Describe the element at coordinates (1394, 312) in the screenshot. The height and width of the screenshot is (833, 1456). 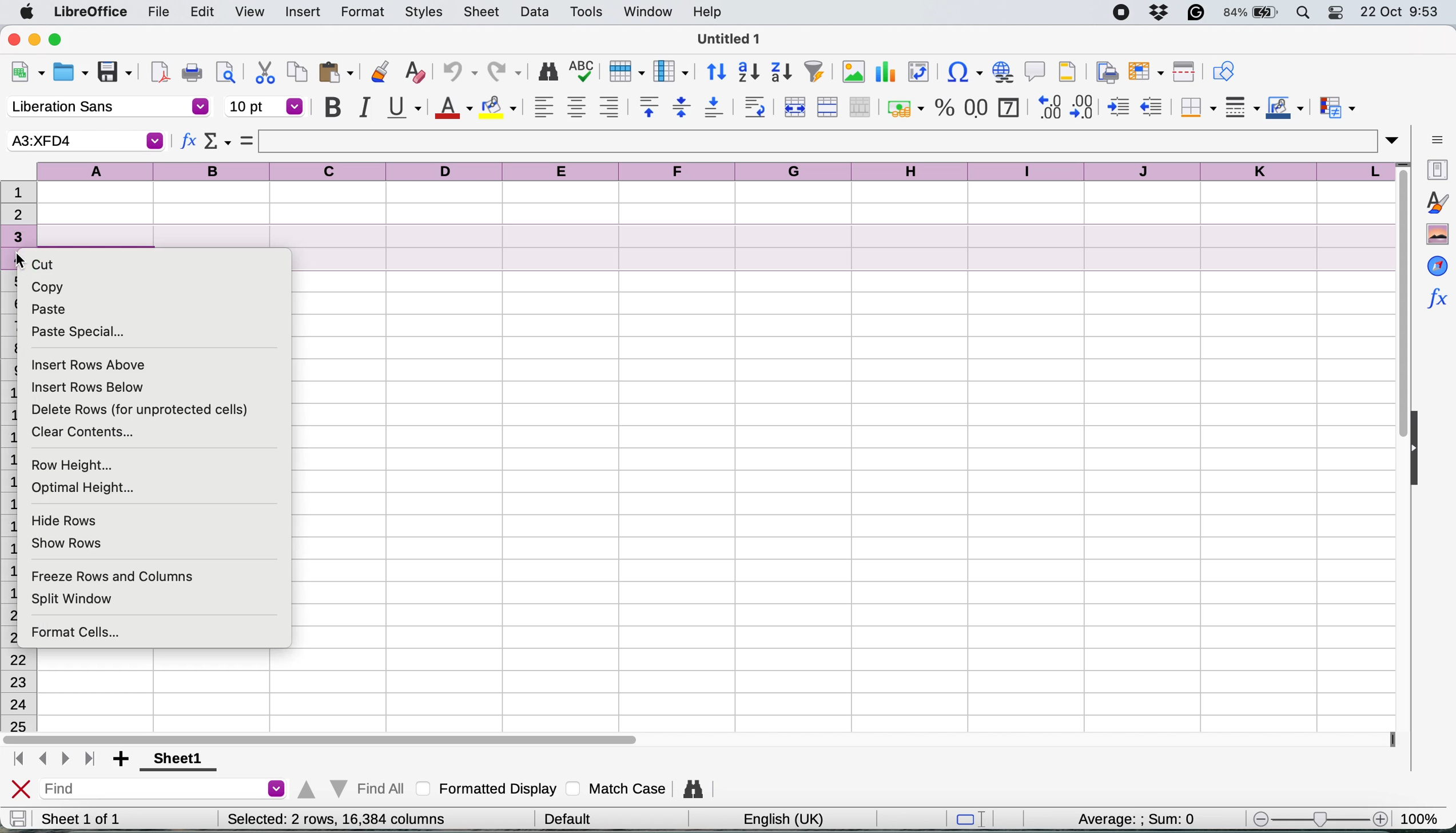
I see `vertical scroll bar` at that location.